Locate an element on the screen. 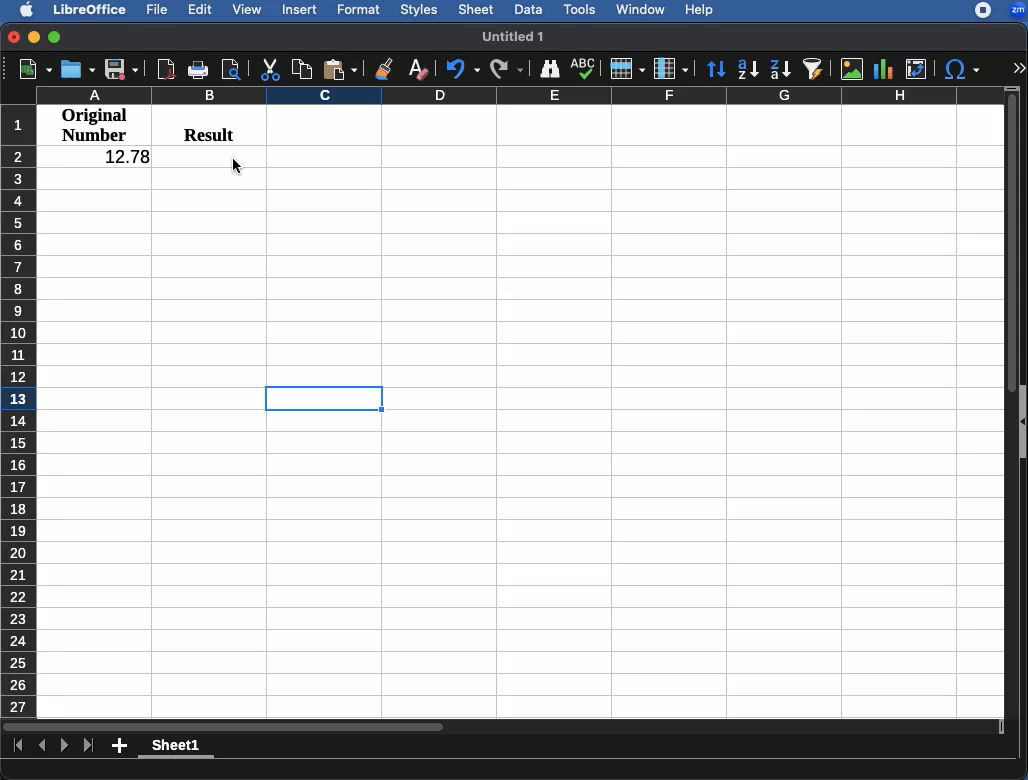 The image size is (1028, 780). cursor is located at coordinates (237, 166).